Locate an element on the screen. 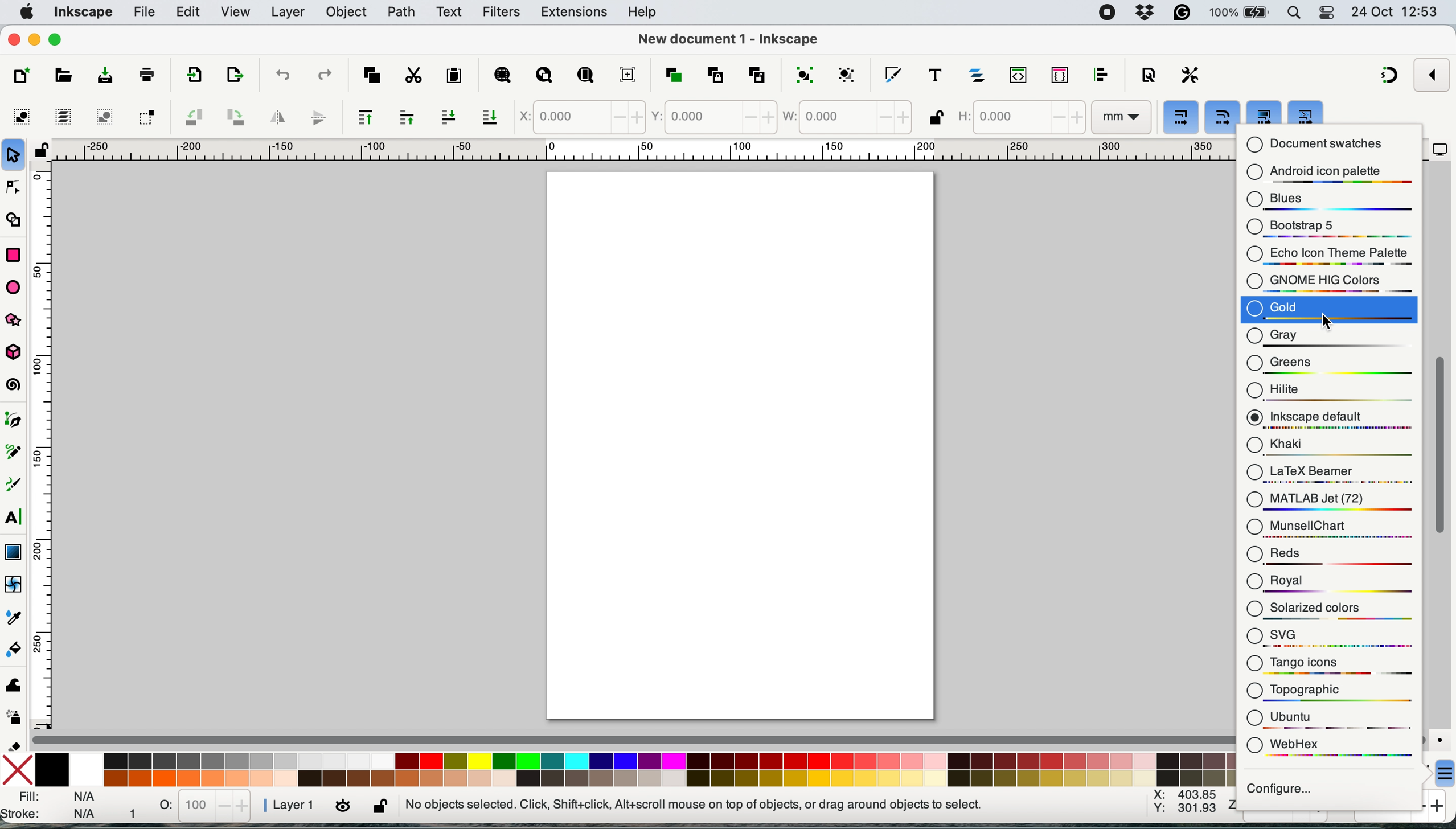 This screenshot has height=829, width=1456. move patterns is located at coordinates (1264, 116).